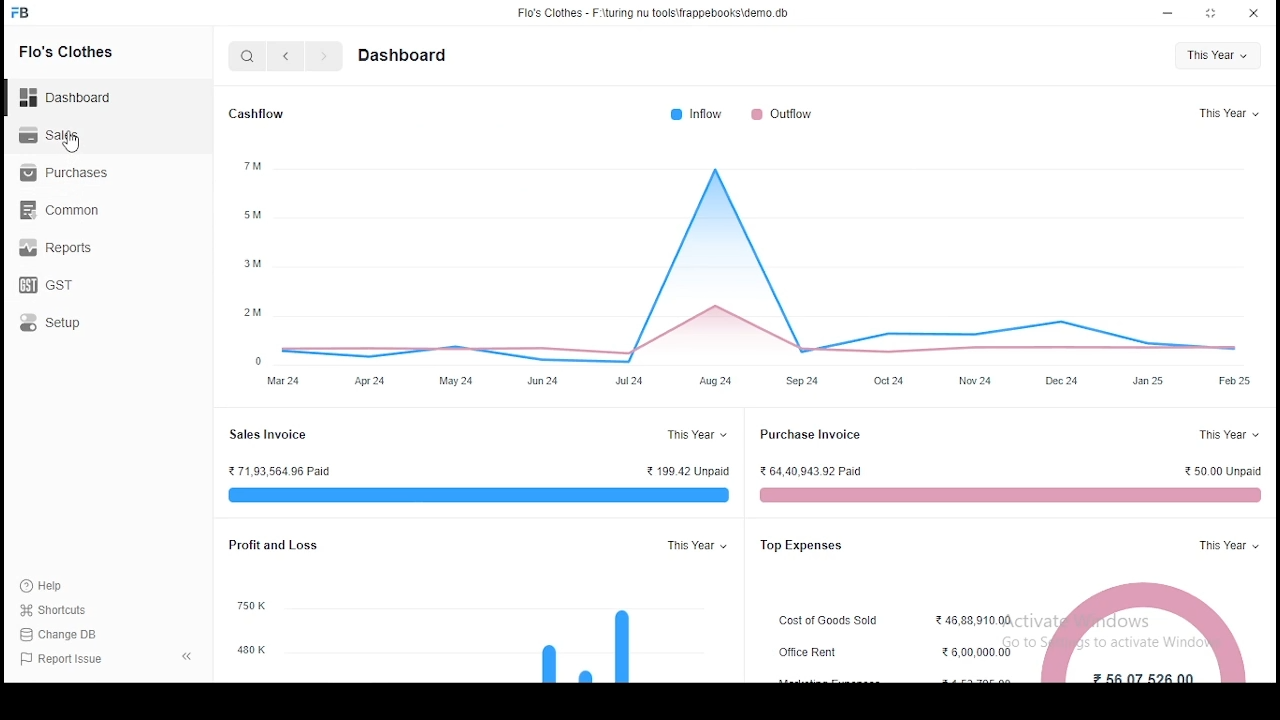  Describe the element at coordinates (48, 285) in the screenshot. I see `gst` at that location.